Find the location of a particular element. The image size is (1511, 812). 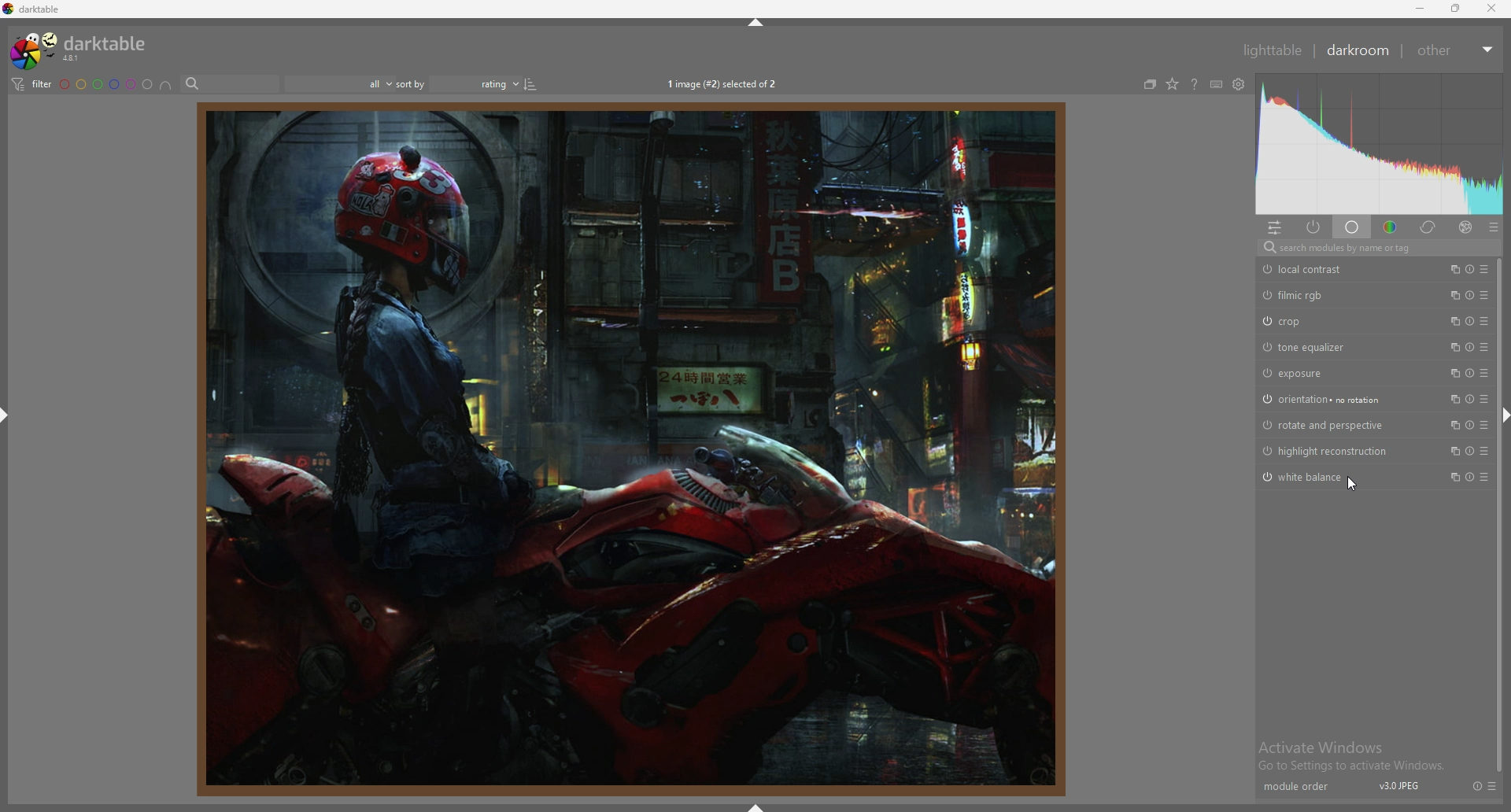

presets is located at coordinates (1484, 477).